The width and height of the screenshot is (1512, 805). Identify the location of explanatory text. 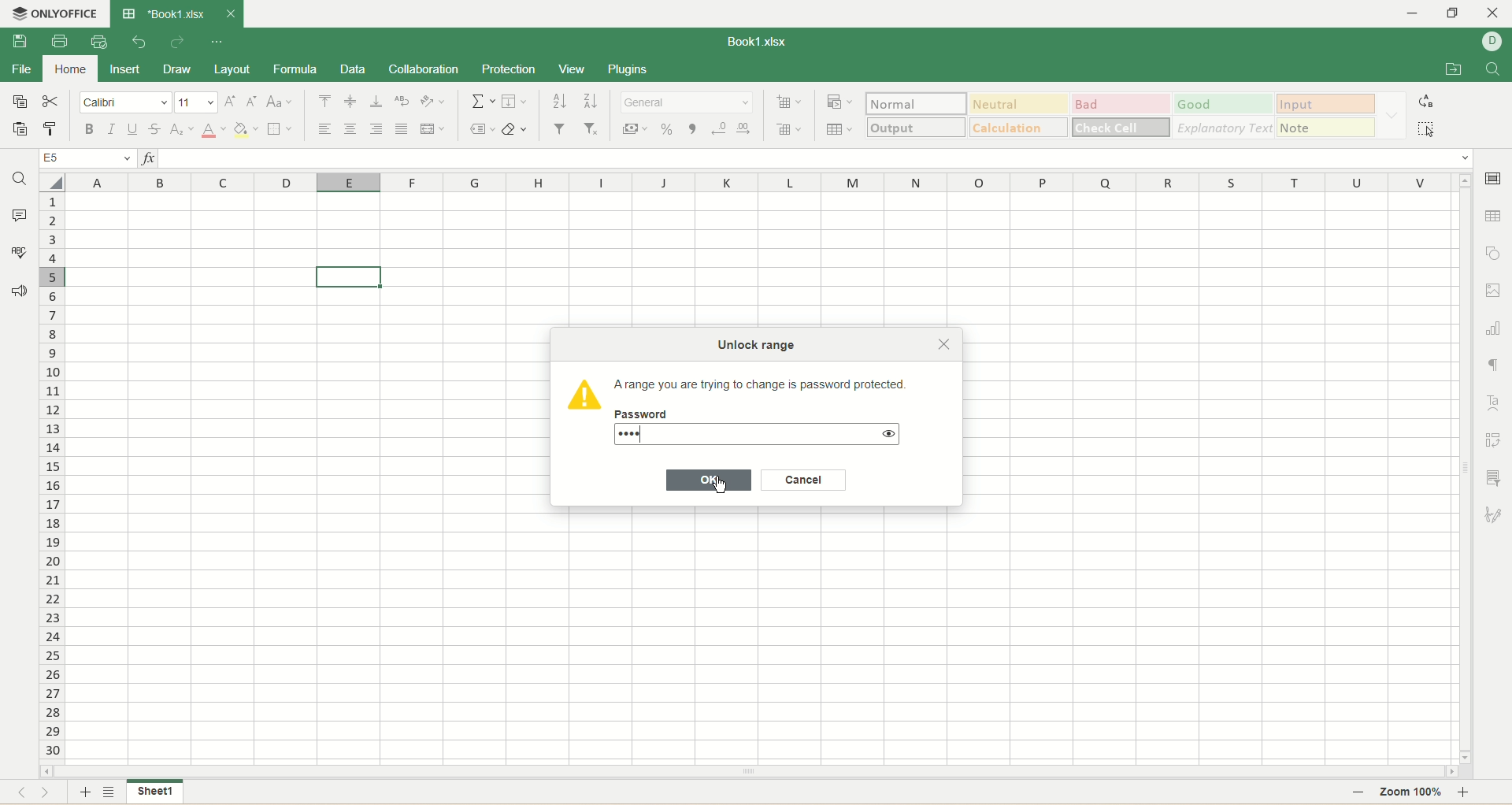
(1224, 129).